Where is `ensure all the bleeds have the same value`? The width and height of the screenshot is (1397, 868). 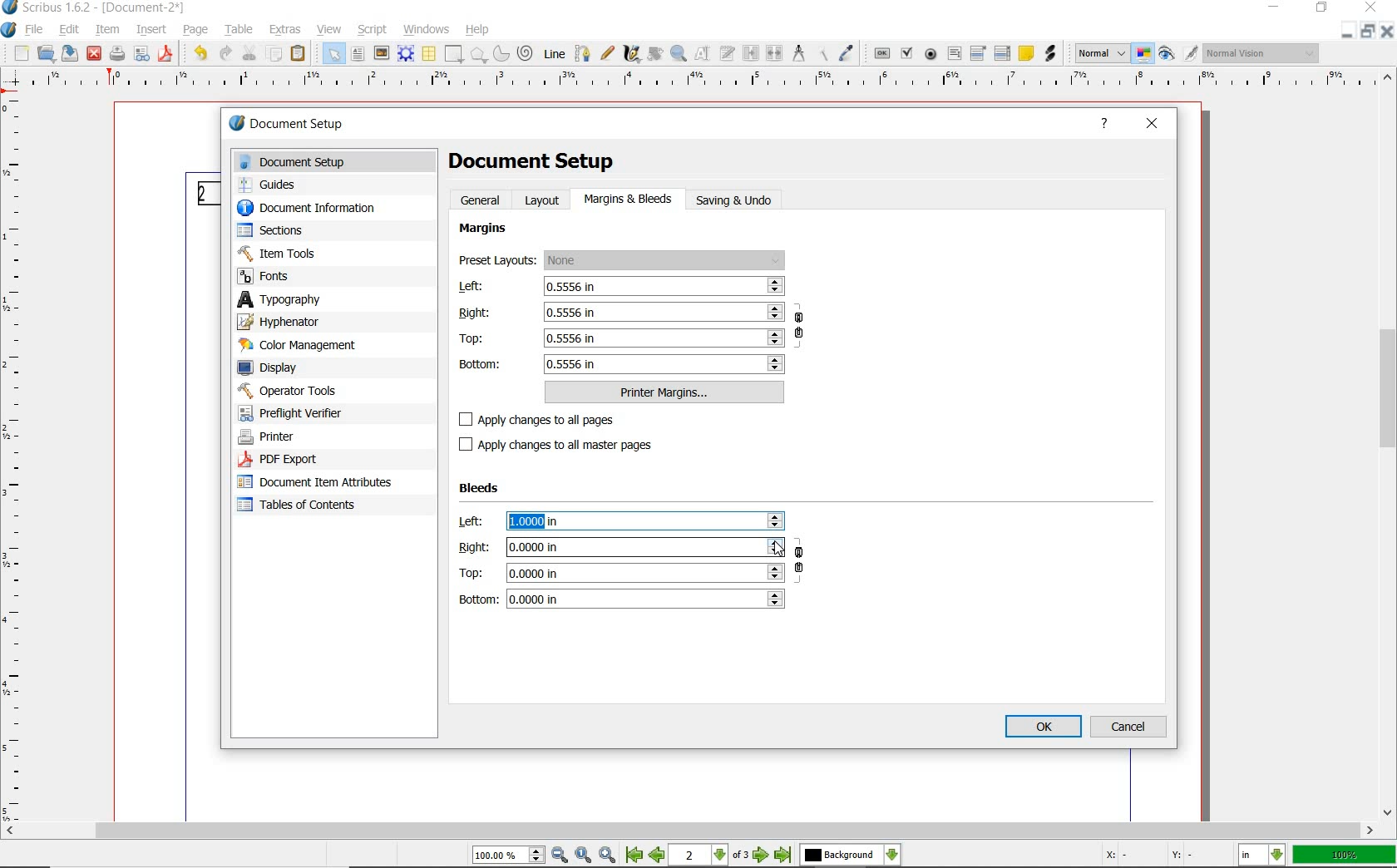 ensure all the bleeds have the same value is located at coordinates (800, 565).